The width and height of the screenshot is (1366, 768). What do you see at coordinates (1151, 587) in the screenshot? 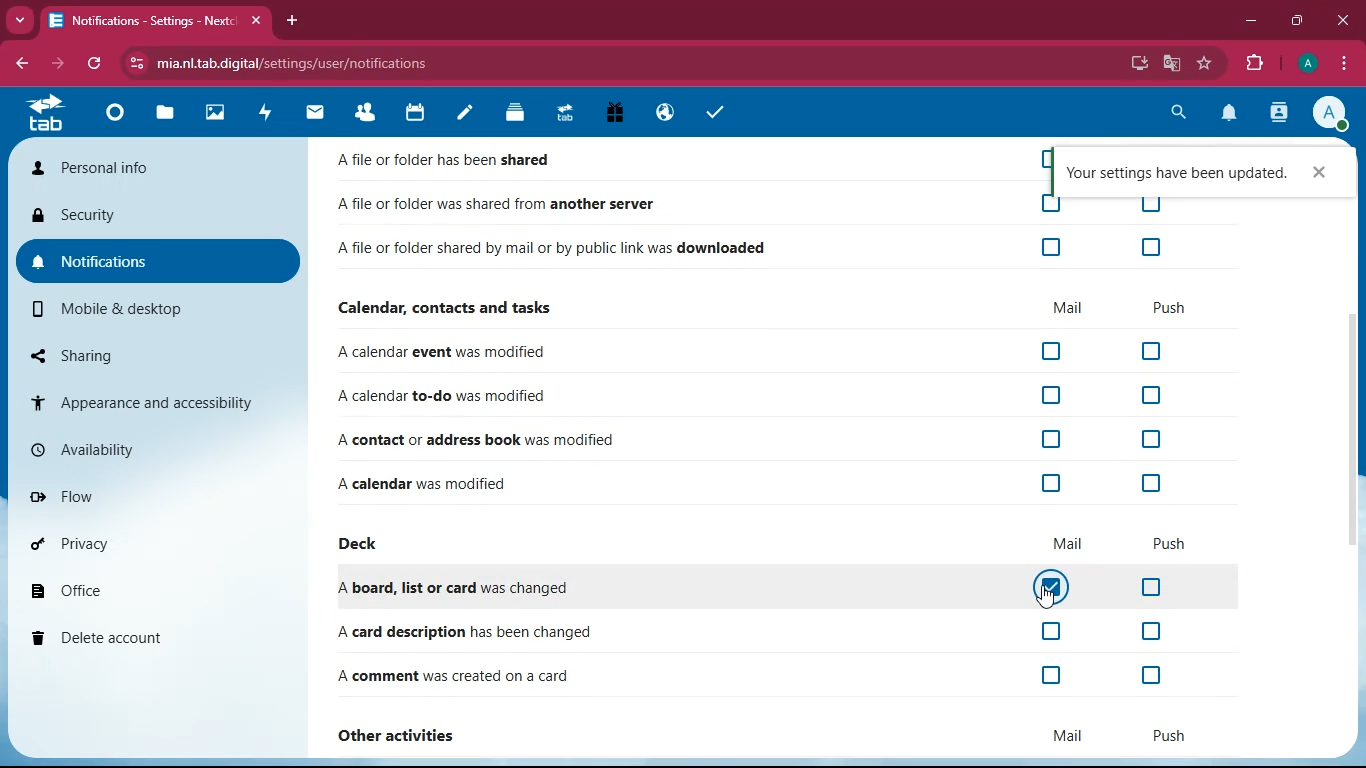
I see `off` at bounding box center [1151, 587].